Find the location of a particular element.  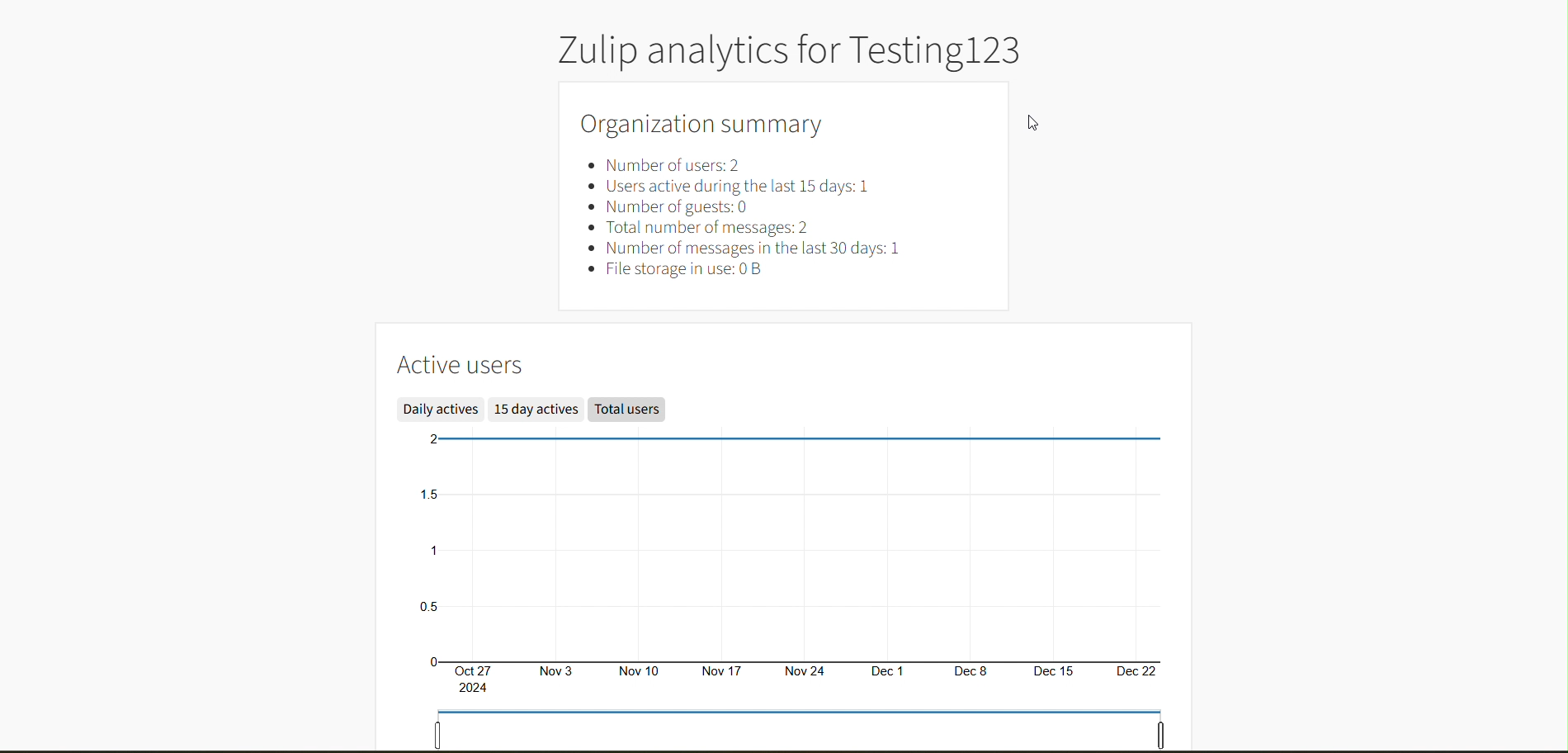

Organization summary is located at coordinates (777, 123).